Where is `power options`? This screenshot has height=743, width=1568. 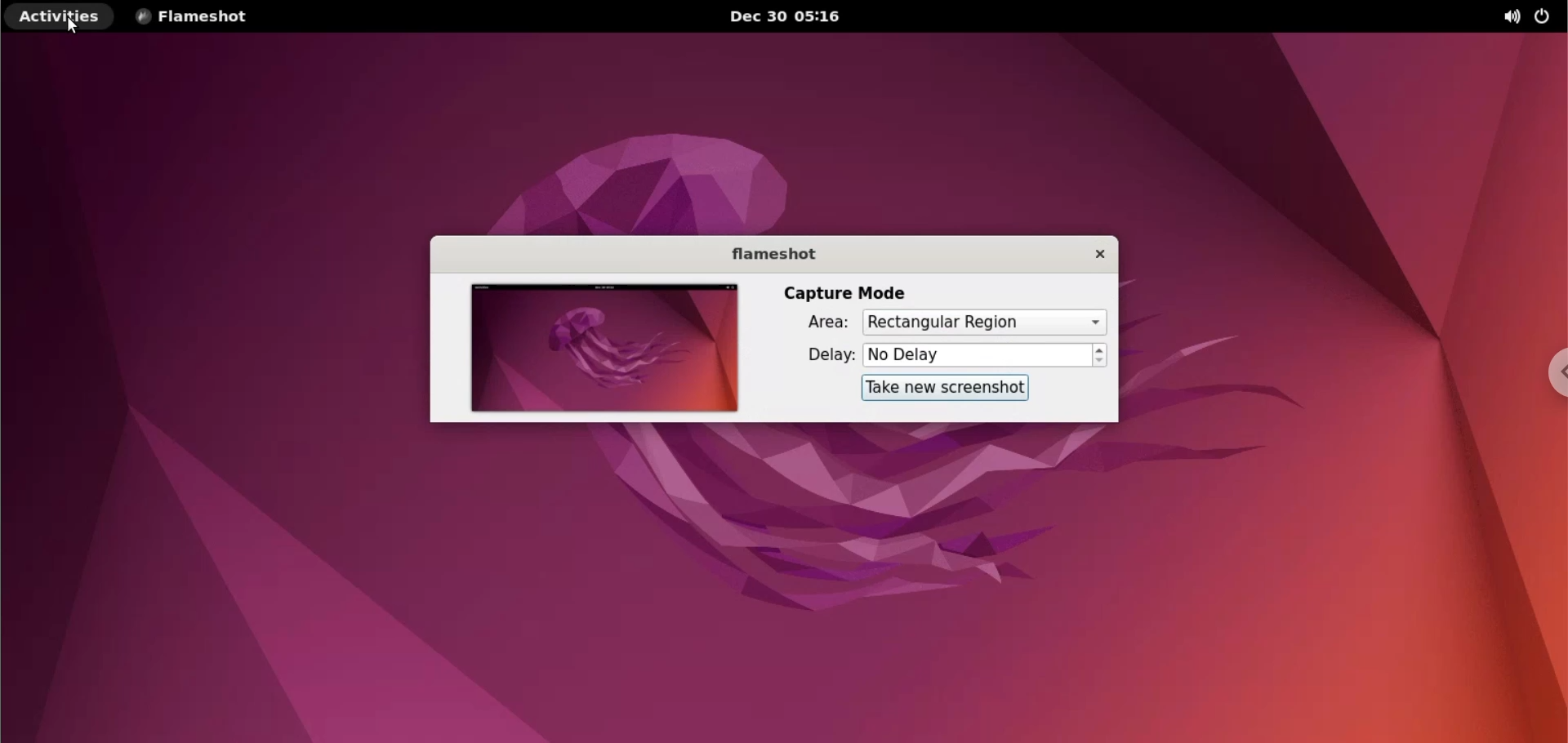
power options is located at coordinates (1545, 19).